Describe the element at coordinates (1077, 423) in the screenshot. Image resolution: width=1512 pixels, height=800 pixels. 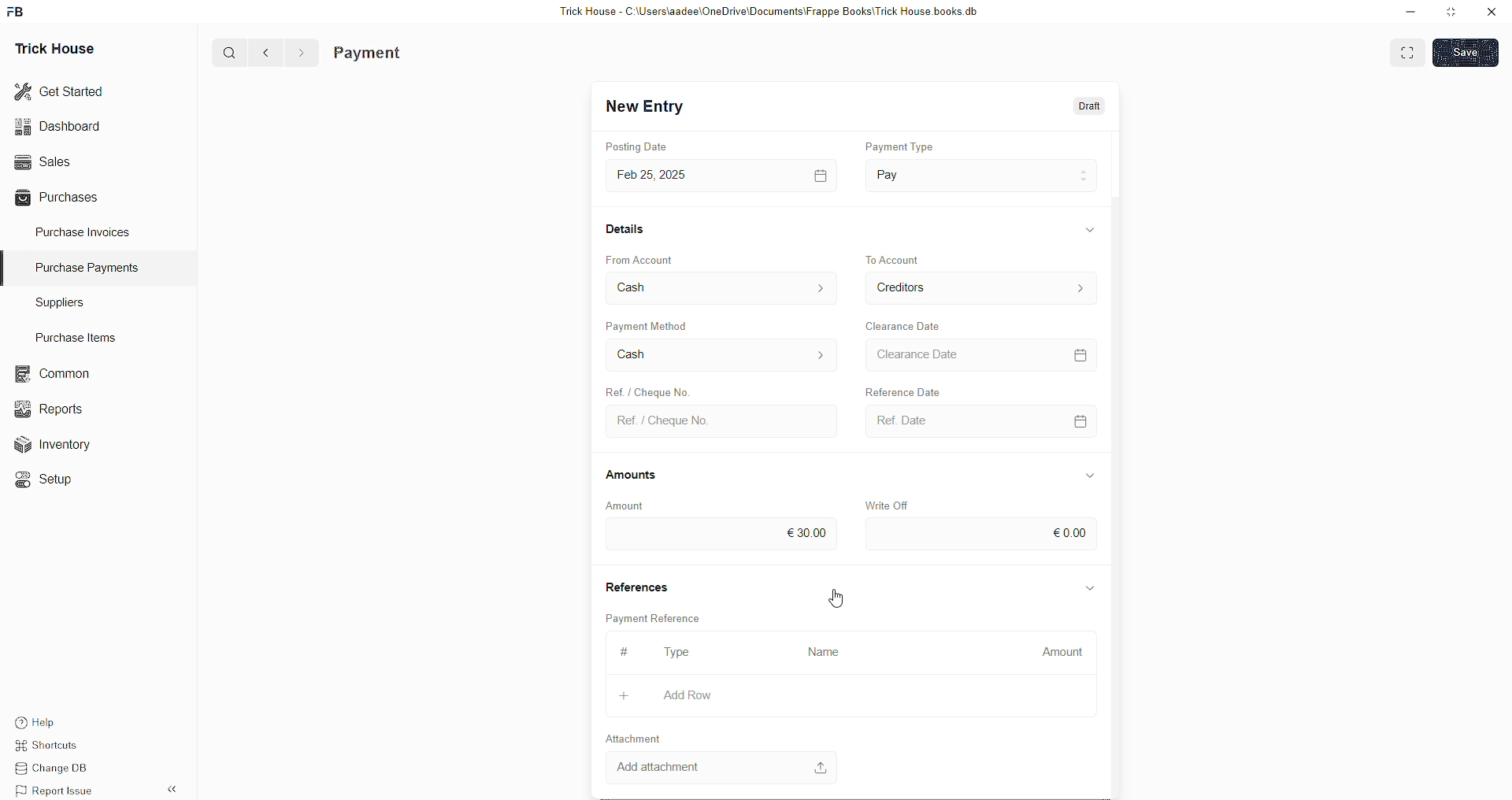
I see `calendar` at that location.